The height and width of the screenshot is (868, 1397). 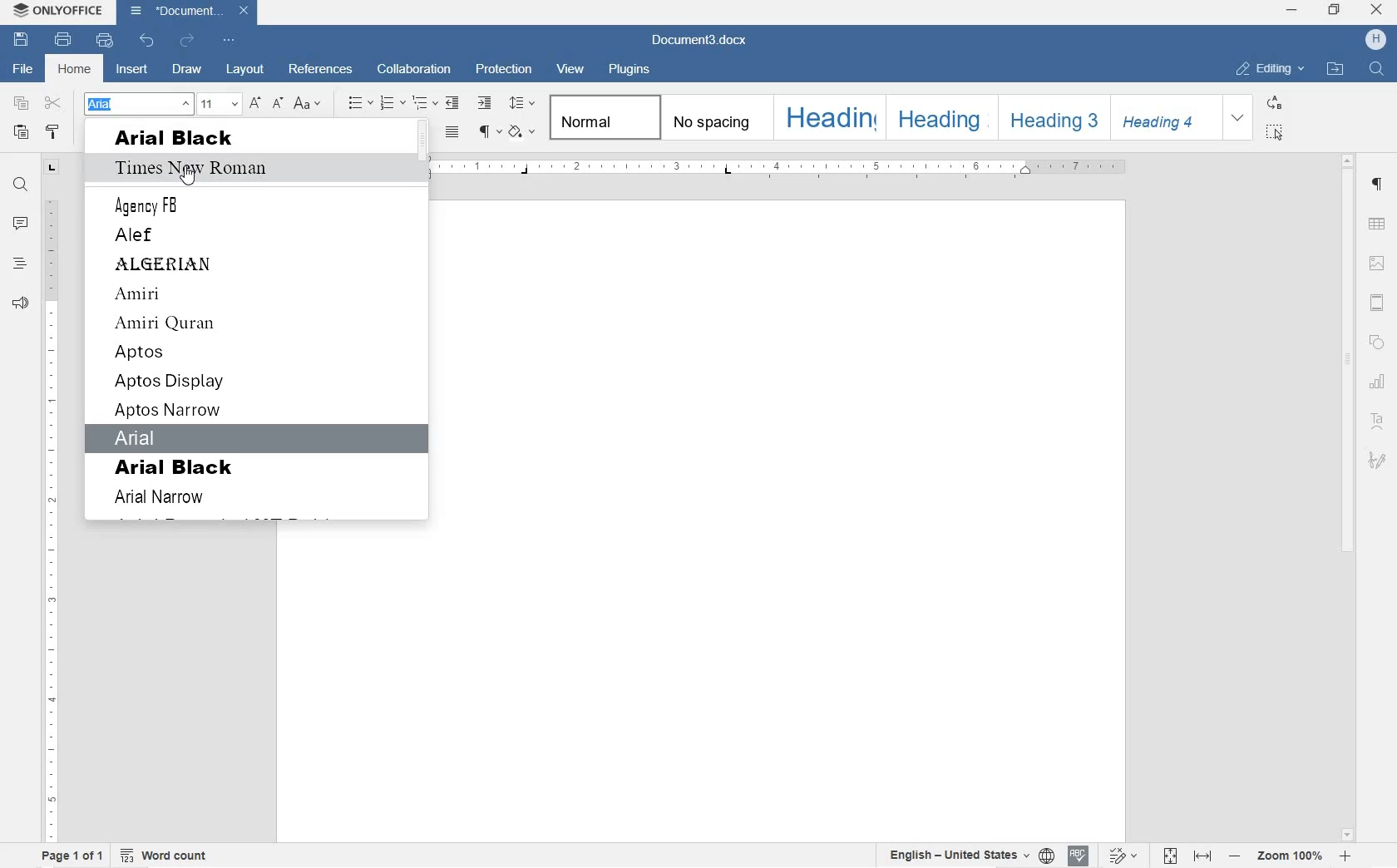 What do you see at coordinates (1379, 382) in the screenshot?
I see `CHART` at bounding box center [1379, 382].